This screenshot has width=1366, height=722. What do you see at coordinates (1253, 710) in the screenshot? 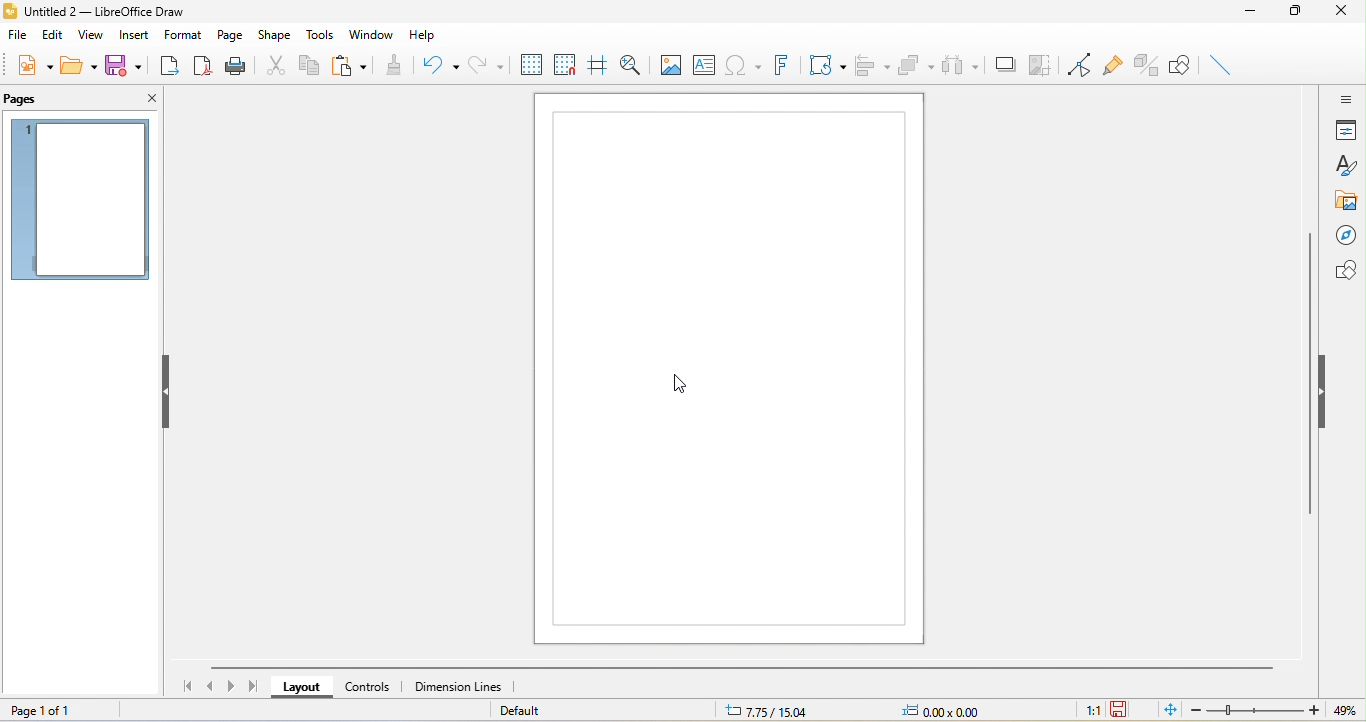
I see `zoom` at bounding box center [1253, 710].